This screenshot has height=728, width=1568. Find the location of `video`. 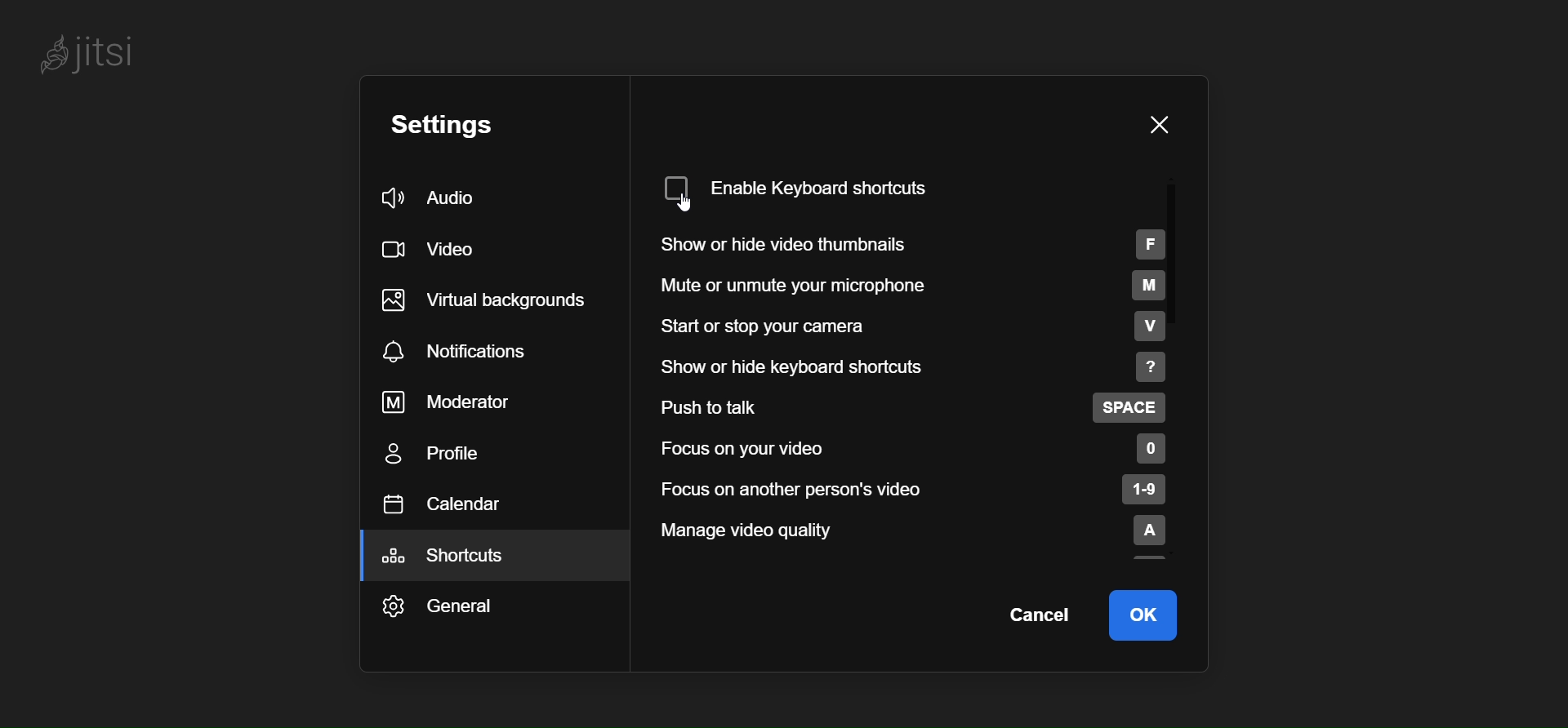

video is located at coordinates (442, 248).